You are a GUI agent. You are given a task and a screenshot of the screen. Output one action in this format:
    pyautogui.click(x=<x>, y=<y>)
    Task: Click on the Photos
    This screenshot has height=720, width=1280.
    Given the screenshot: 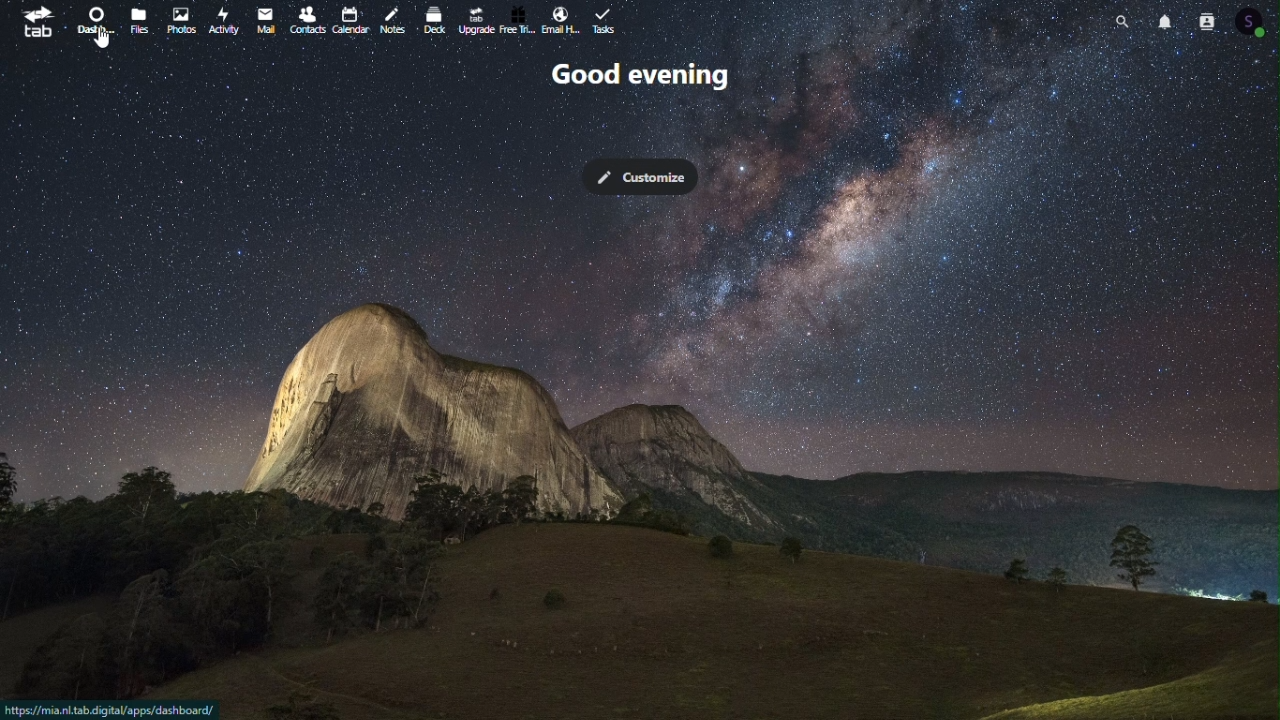 What is the action you would take?
    pyautogui.click(x=181, y=20)
    